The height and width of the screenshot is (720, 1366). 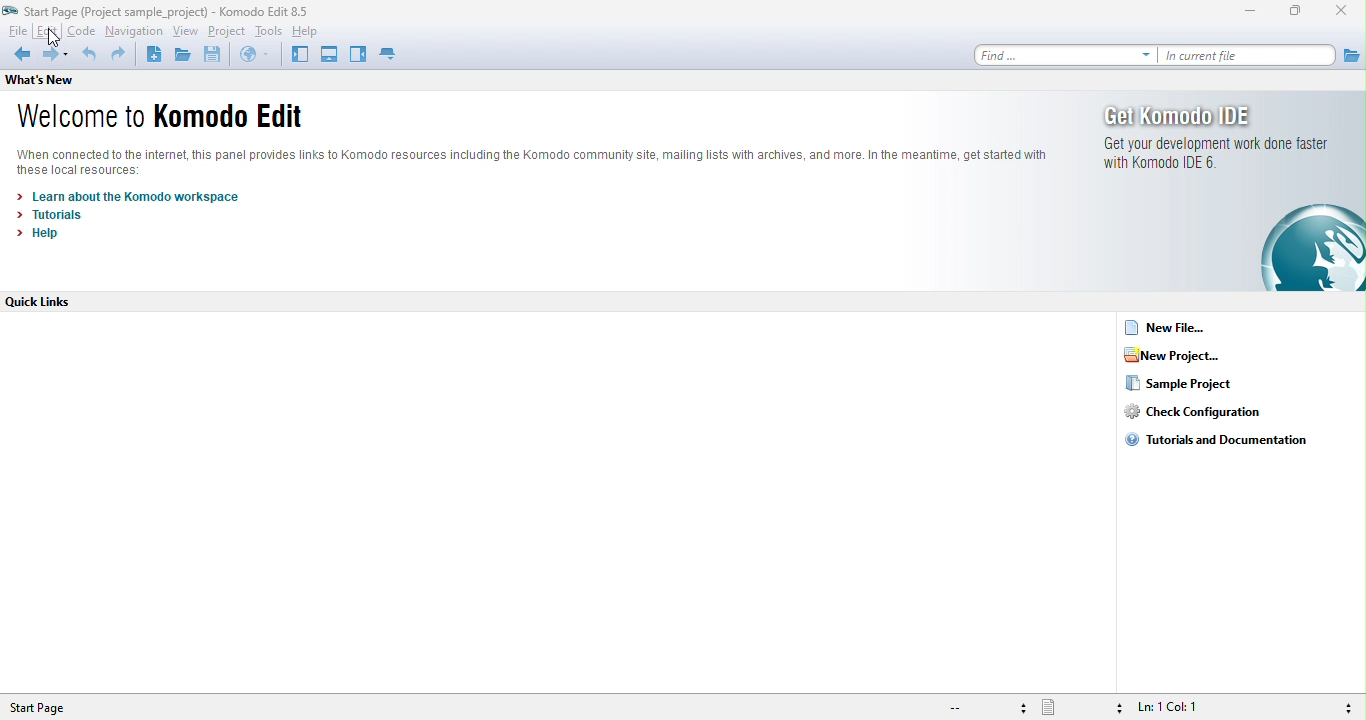 What do you see at coordinates (44, 81) in the screenshot?
I see `what's new` at bounding box center [44, 81].